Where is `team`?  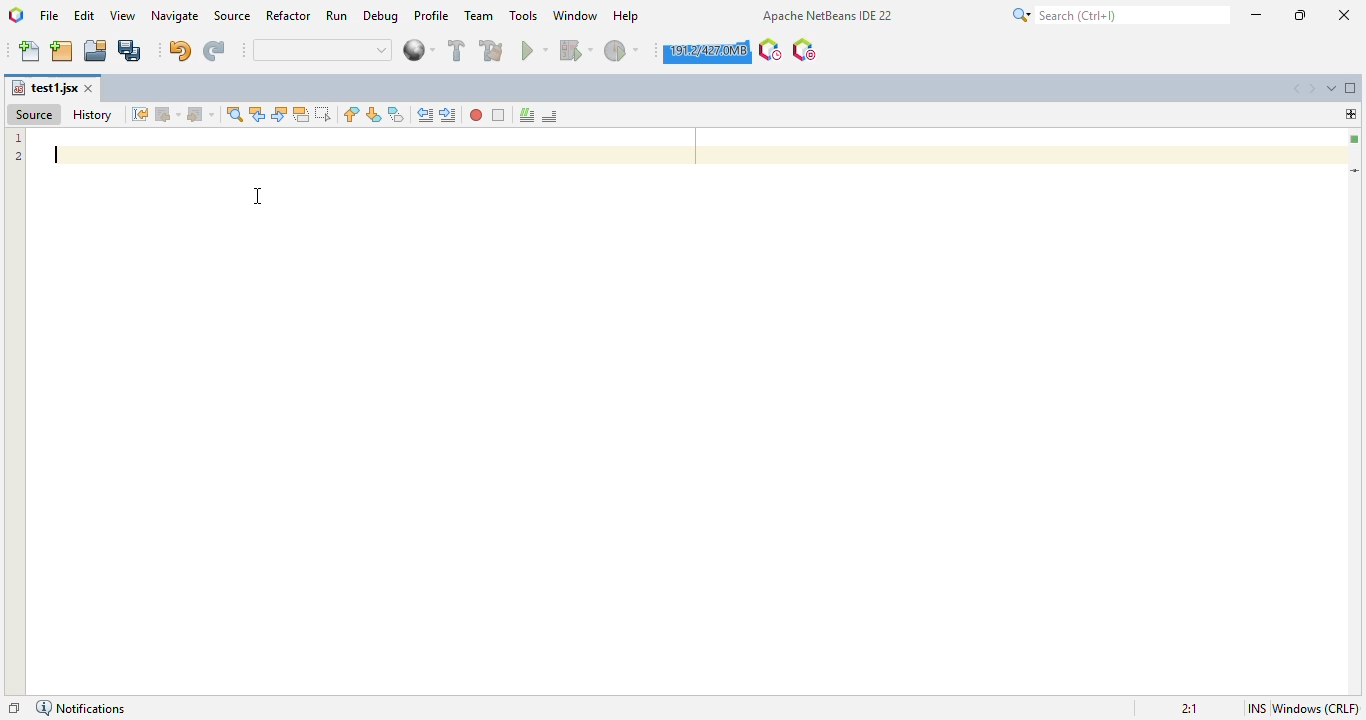
team is located at coordinates (480, 15).